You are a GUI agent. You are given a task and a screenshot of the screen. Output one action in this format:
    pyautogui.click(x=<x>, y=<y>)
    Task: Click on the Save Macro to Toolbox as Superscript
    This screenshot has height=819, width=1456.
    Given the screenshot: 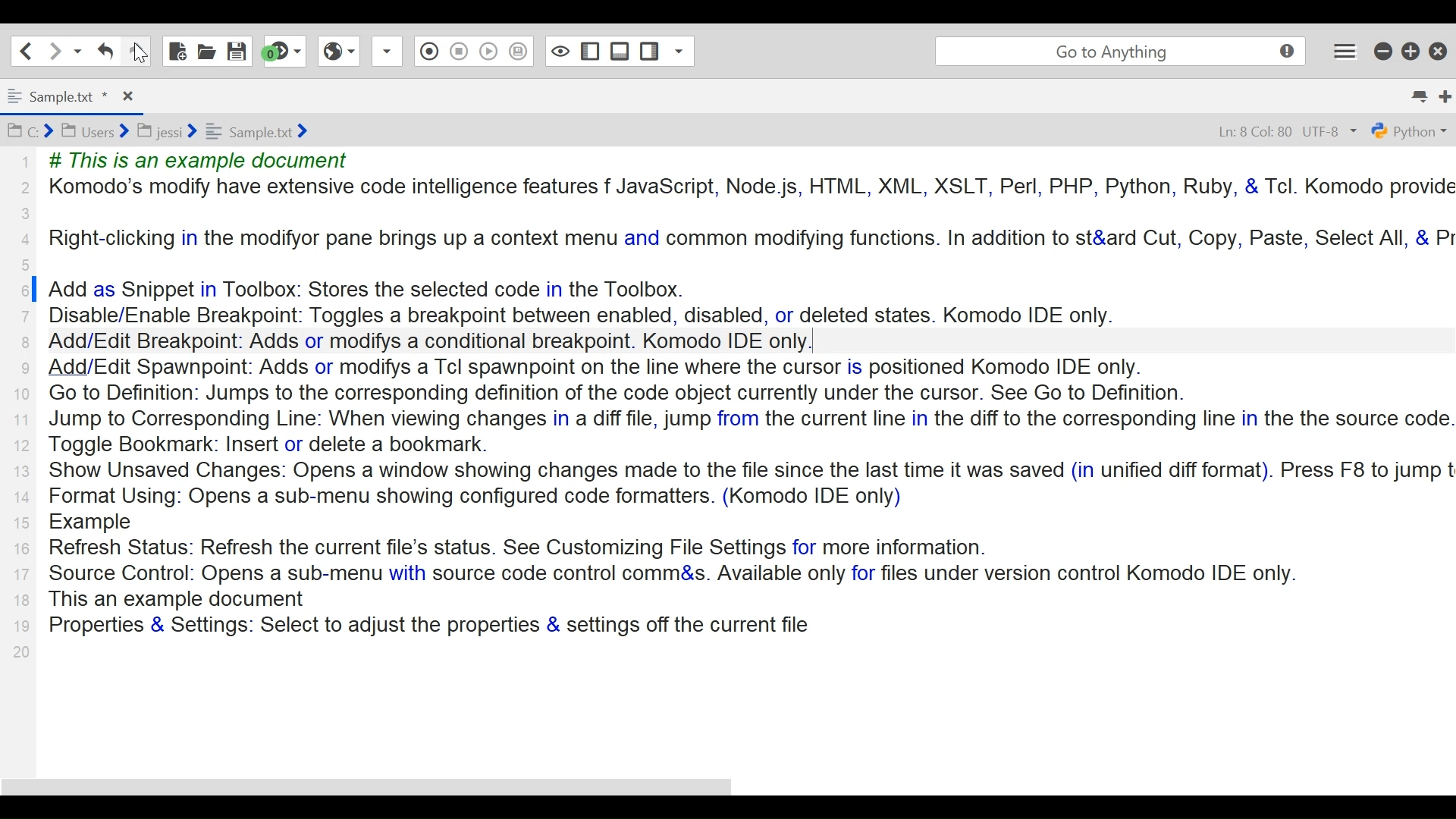 What is the action you would take?
    pyautogui.click(x=517, y=51)
    